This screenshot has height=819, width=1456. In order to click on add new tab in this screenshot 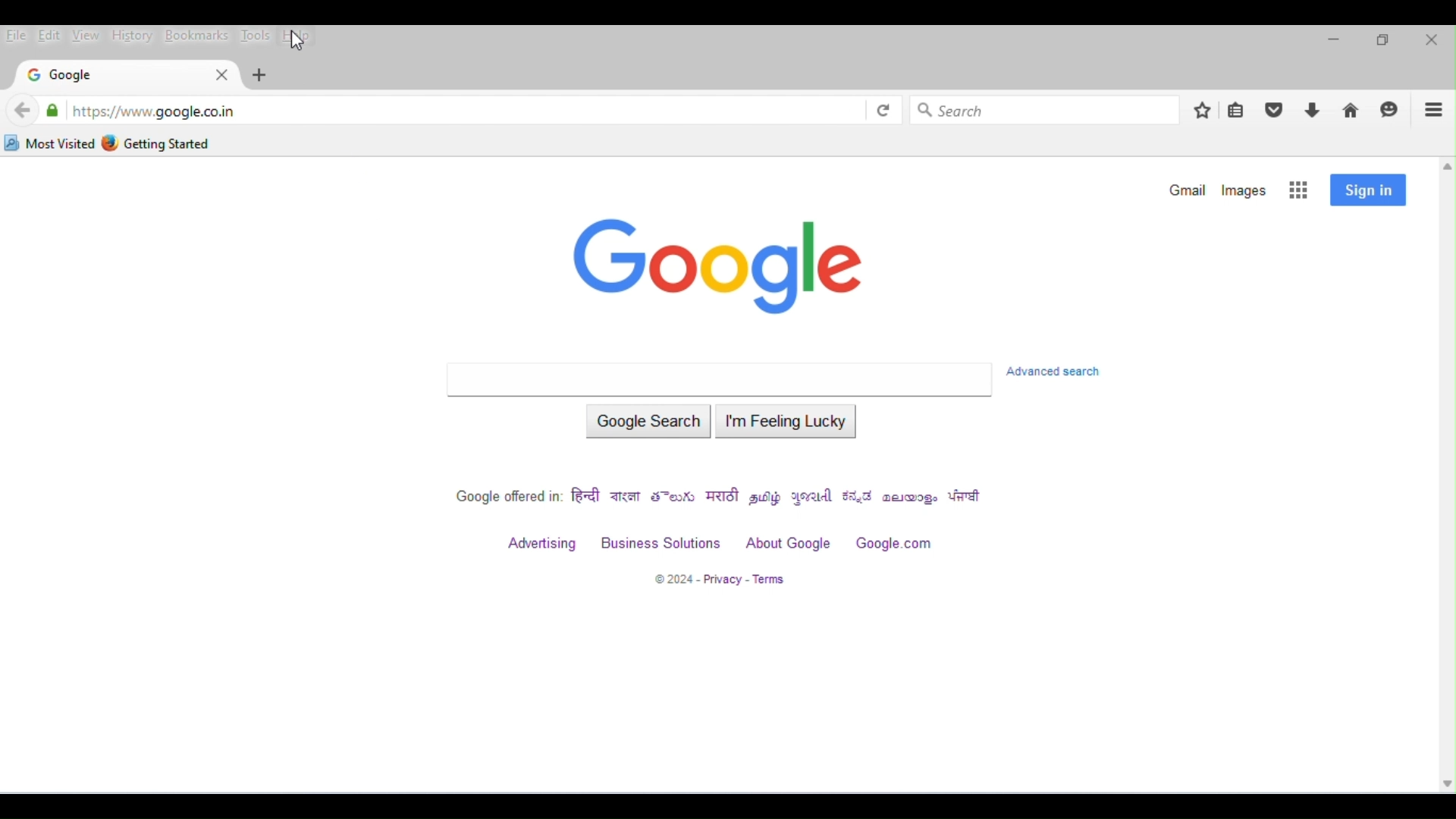, I will do `click(261, 75)`.